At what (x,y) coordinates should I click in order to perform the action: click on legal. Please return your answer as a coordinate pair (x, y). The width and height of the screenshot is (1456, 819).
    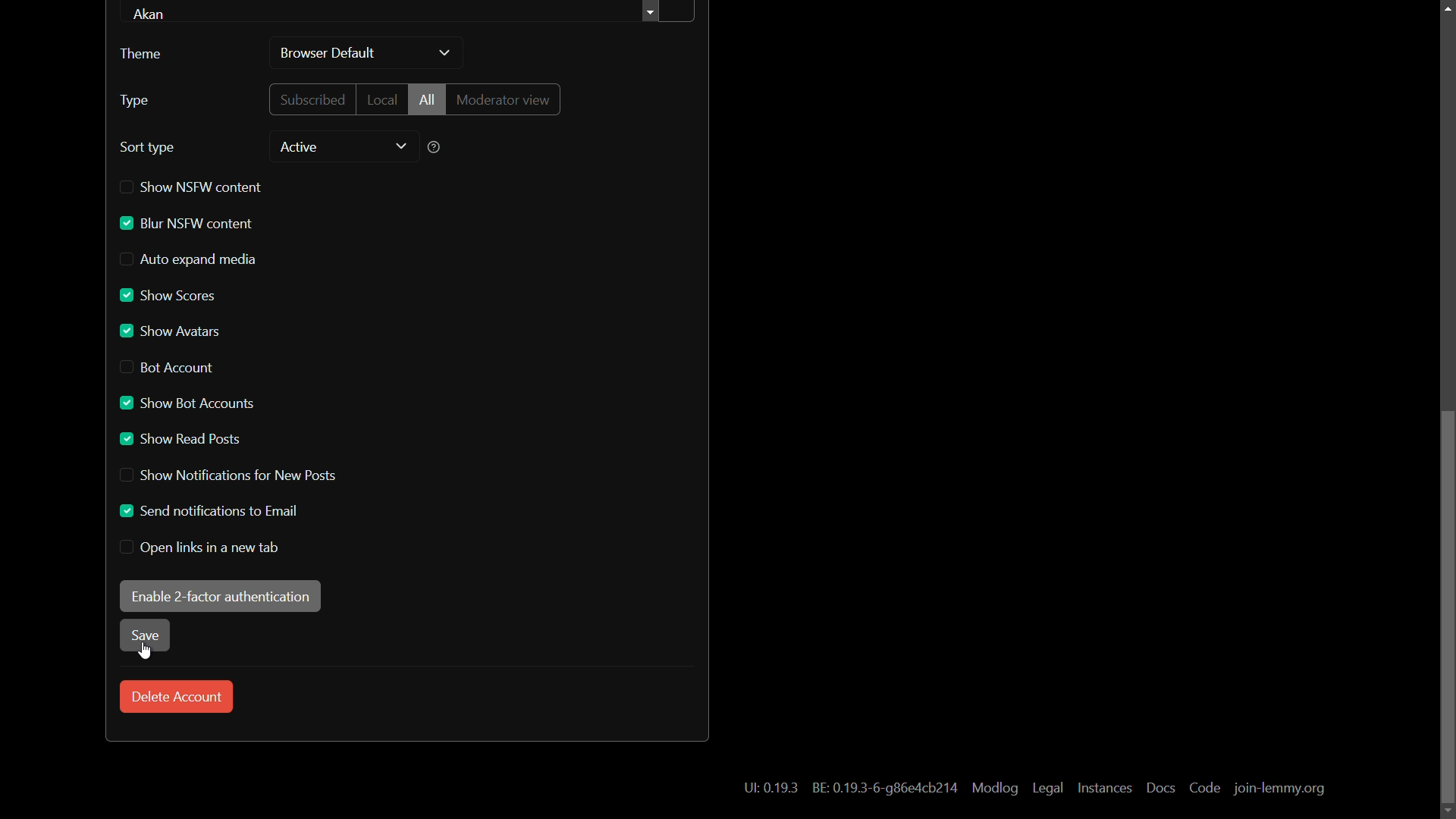
    Looking at the image, I should click on (1050, 789).